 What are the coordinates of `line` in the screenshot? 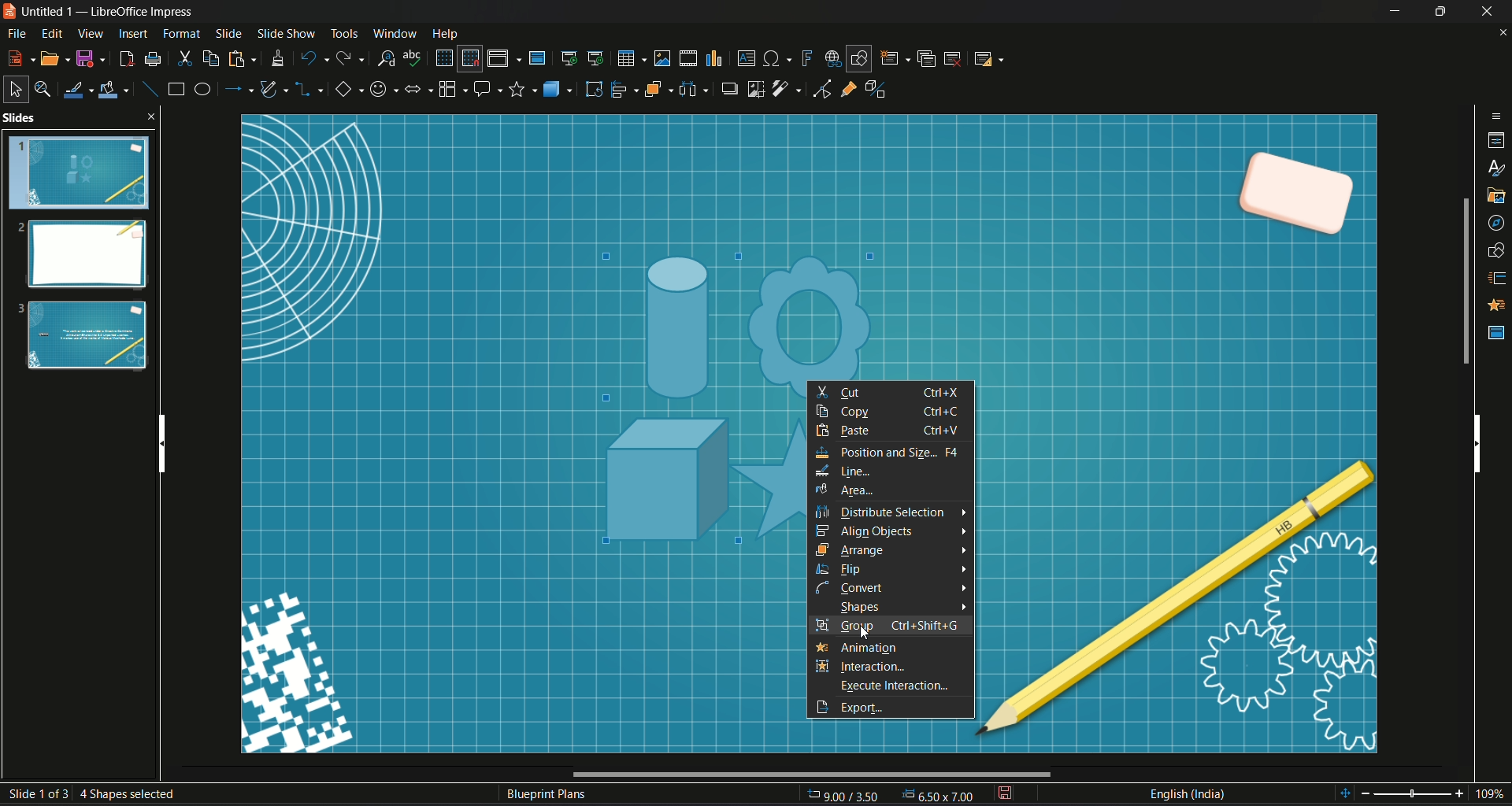 It's located at (843, 471).